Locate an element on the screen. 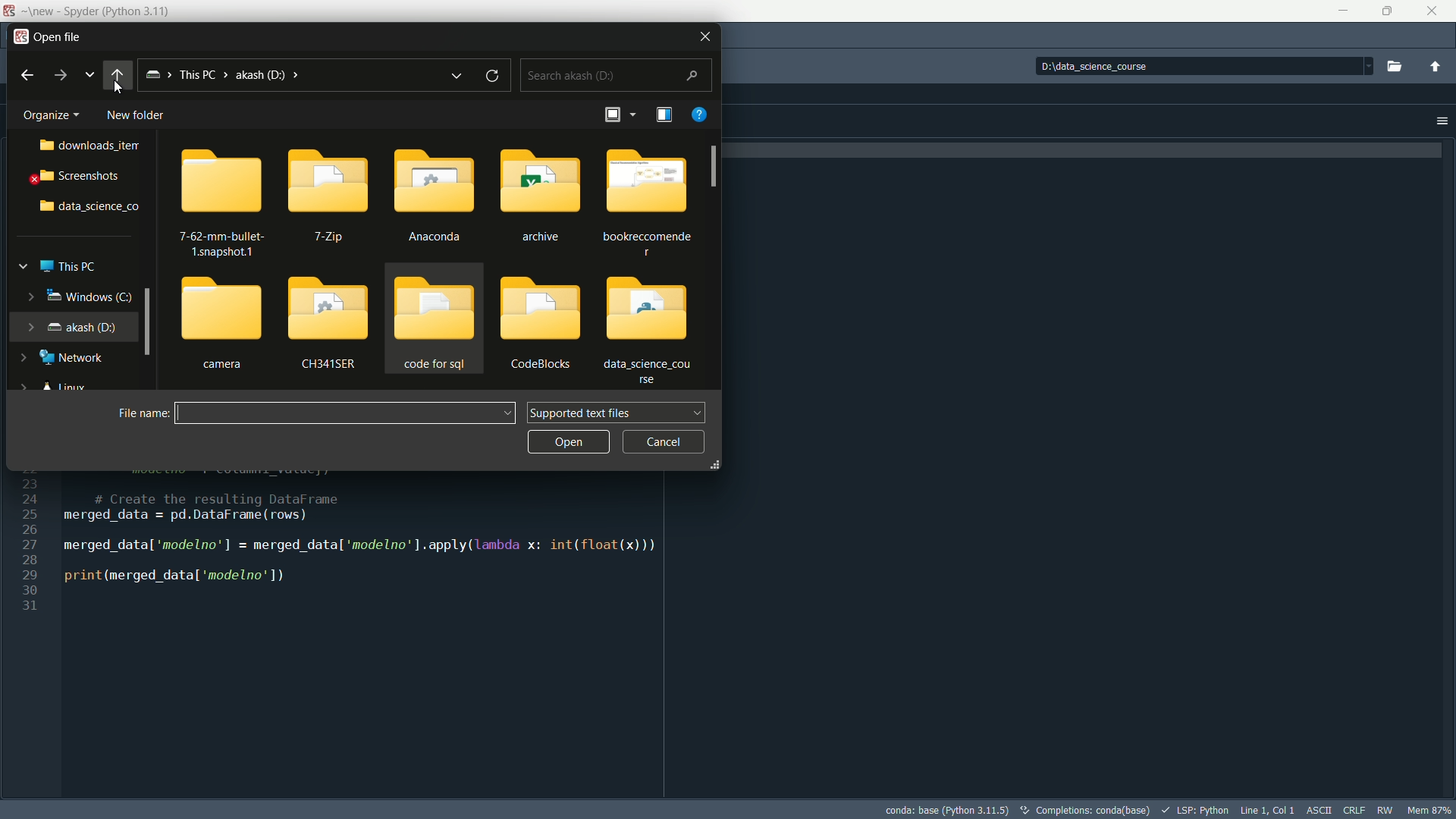  CodeBlocks is located at coordinates (540, 322).